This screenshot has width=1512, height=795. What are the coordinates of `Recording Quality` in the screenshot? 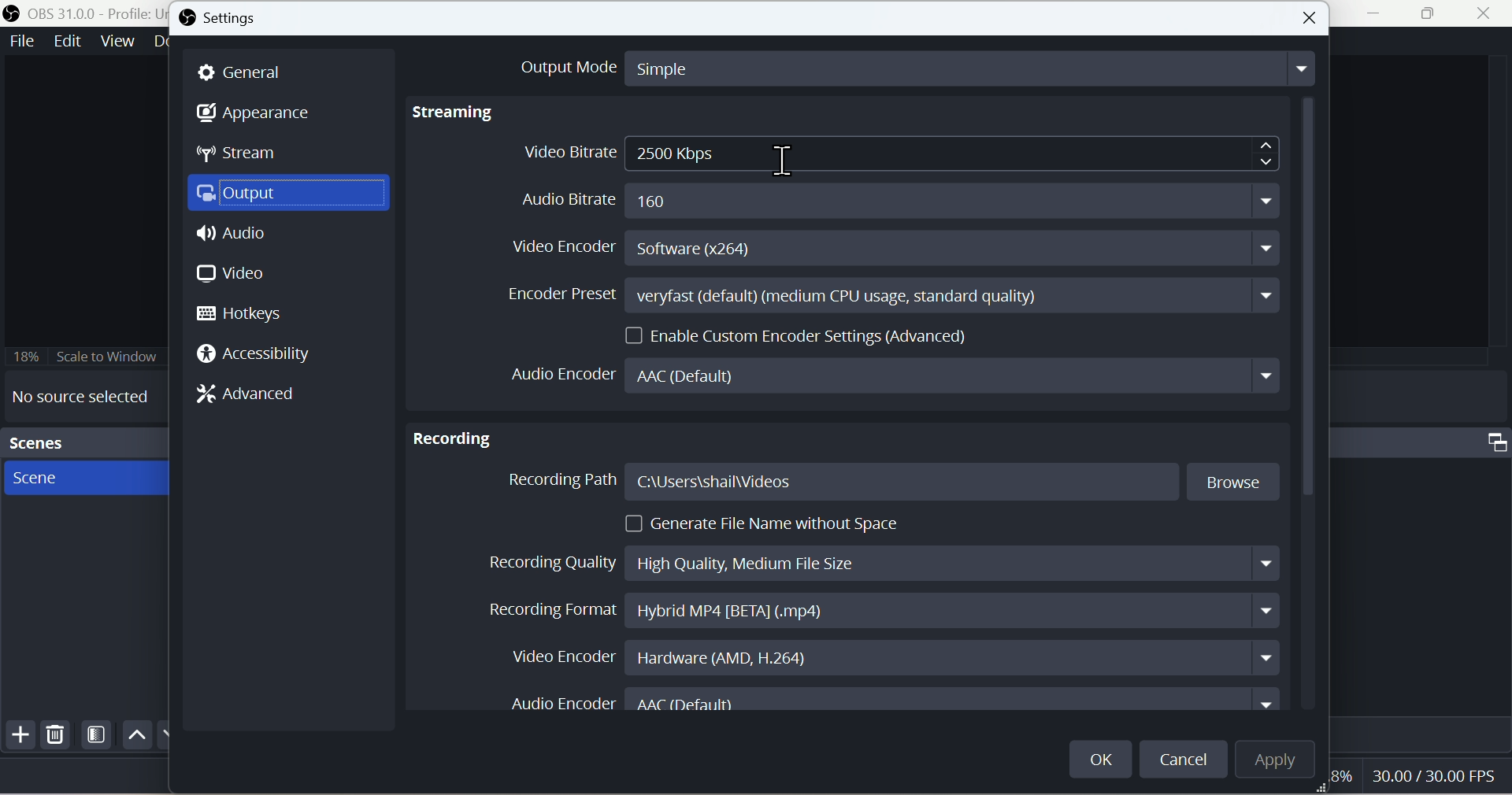 It's located at (879, 559).